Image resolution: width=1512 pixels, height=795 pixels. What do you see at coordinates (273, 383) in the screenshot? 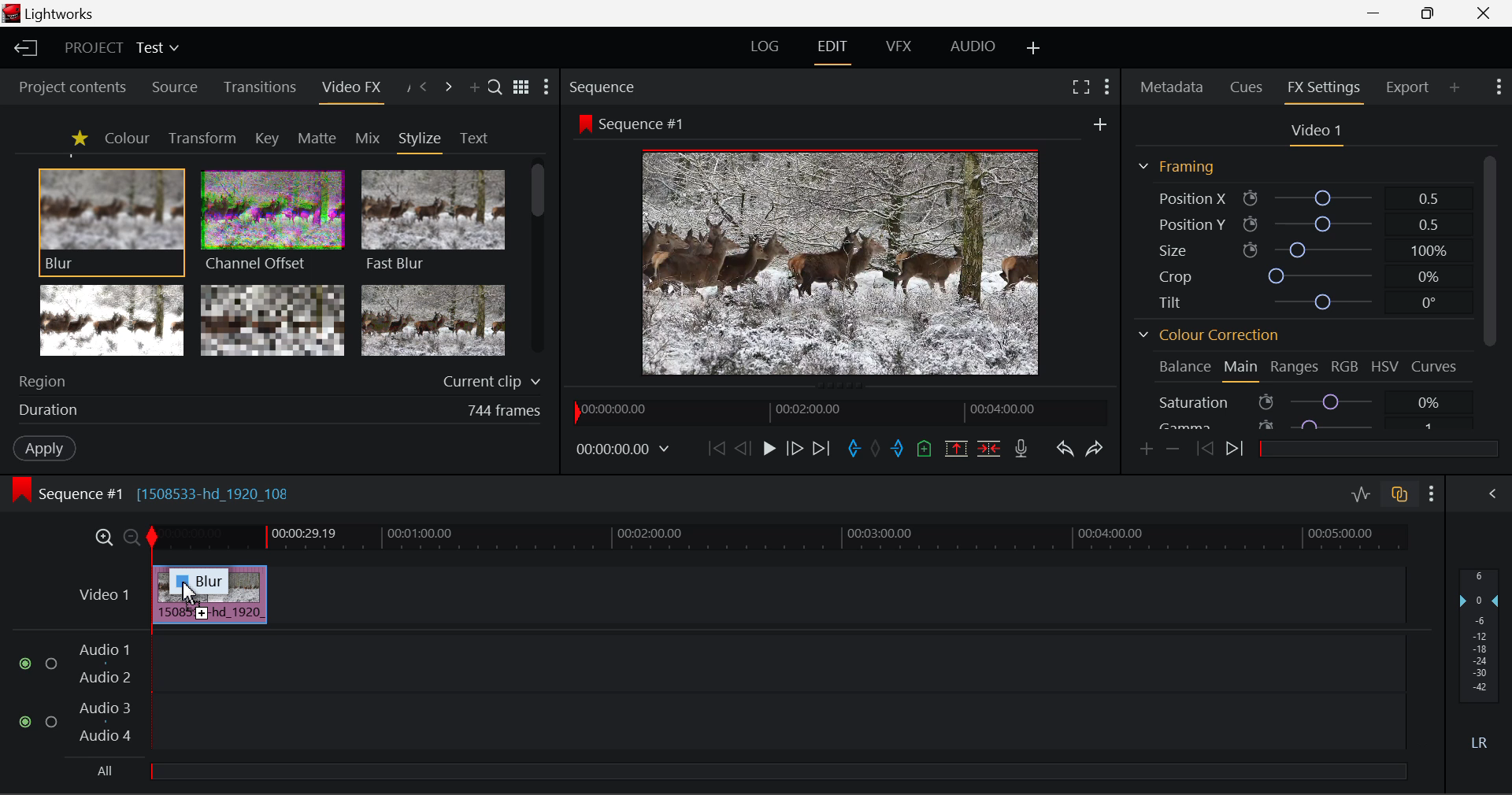
I see `Region of Effect` at bounding box center [273, 383].